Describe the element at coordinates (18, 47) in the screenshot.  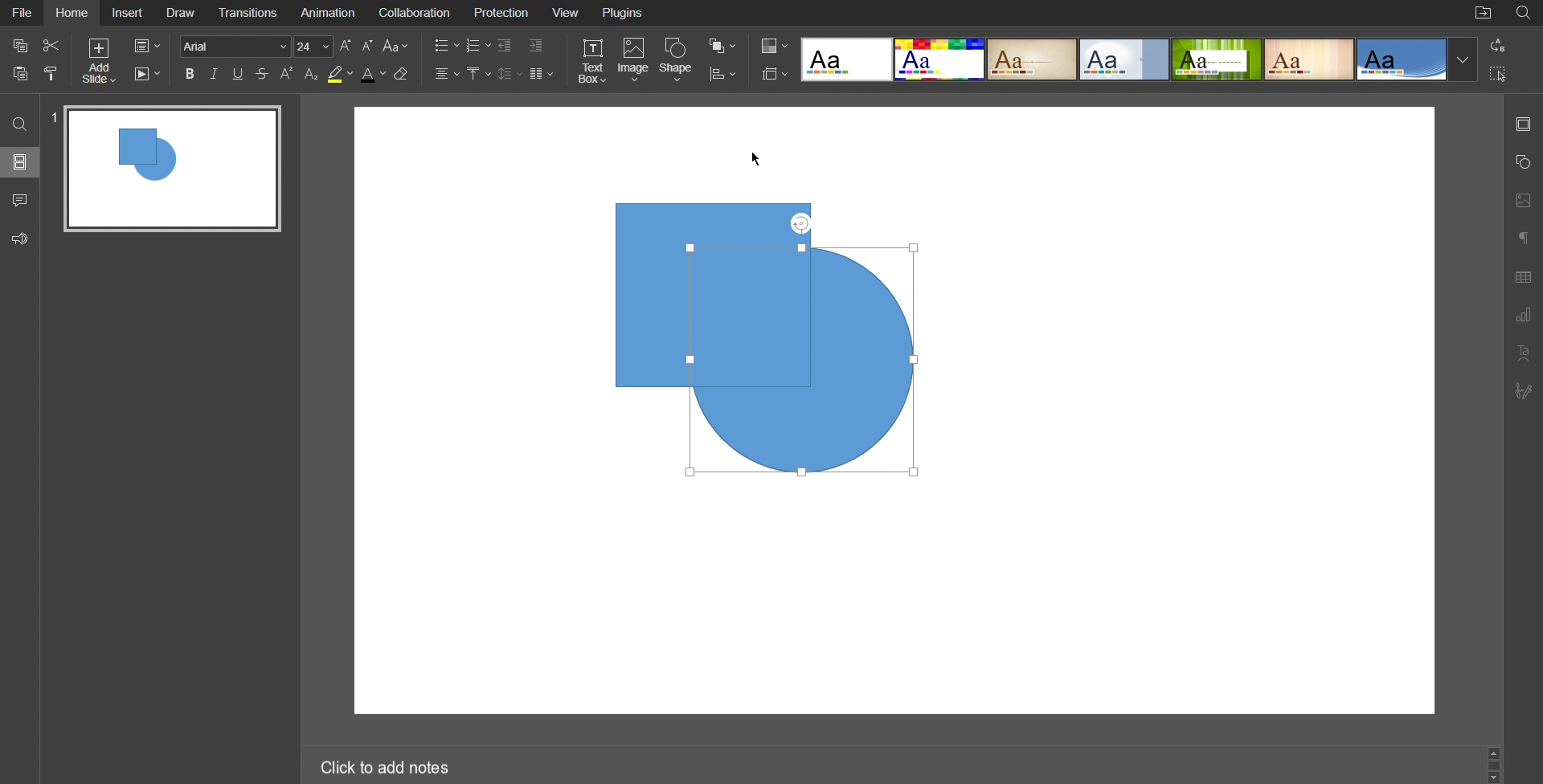
I see `Copy` at that location.